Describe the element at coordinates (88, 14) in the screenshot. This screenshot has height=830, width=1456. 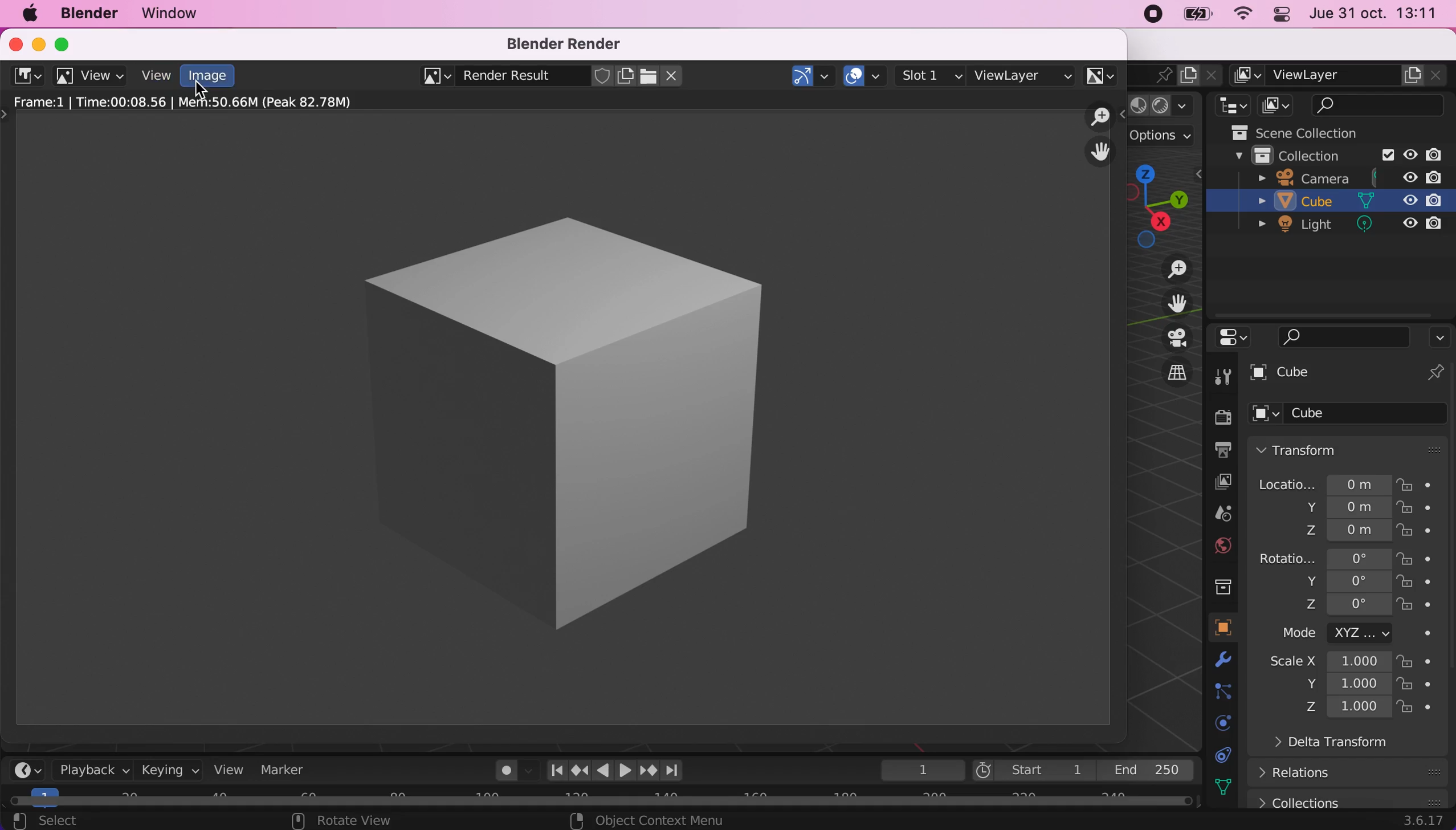
I see `blender` at that location.